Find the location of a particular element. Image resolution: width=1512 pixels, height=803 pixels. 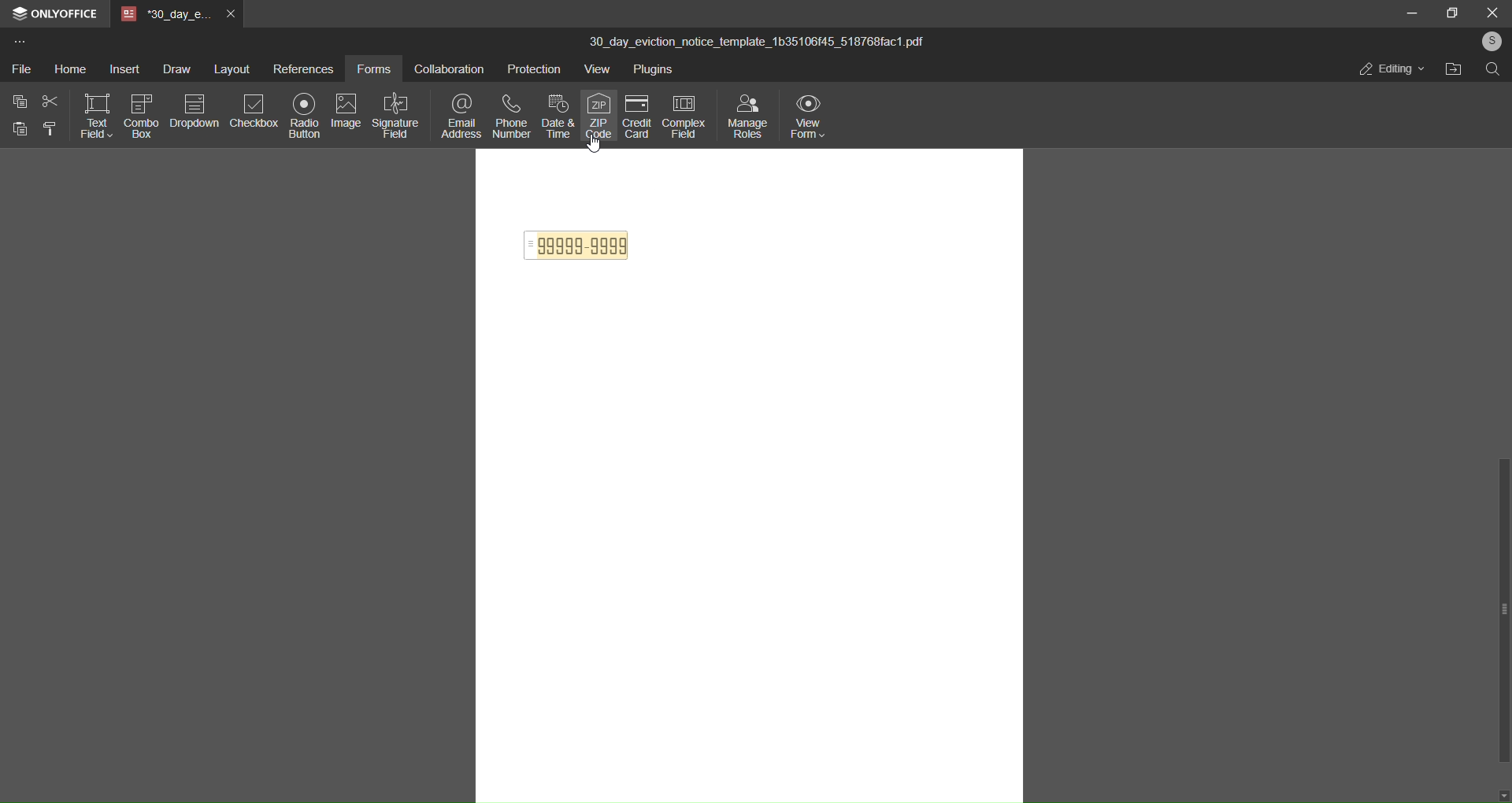

30_day_eviction_notice_template_1b35106f45_518768fac1.pdf is located at coordinates (763, 40).